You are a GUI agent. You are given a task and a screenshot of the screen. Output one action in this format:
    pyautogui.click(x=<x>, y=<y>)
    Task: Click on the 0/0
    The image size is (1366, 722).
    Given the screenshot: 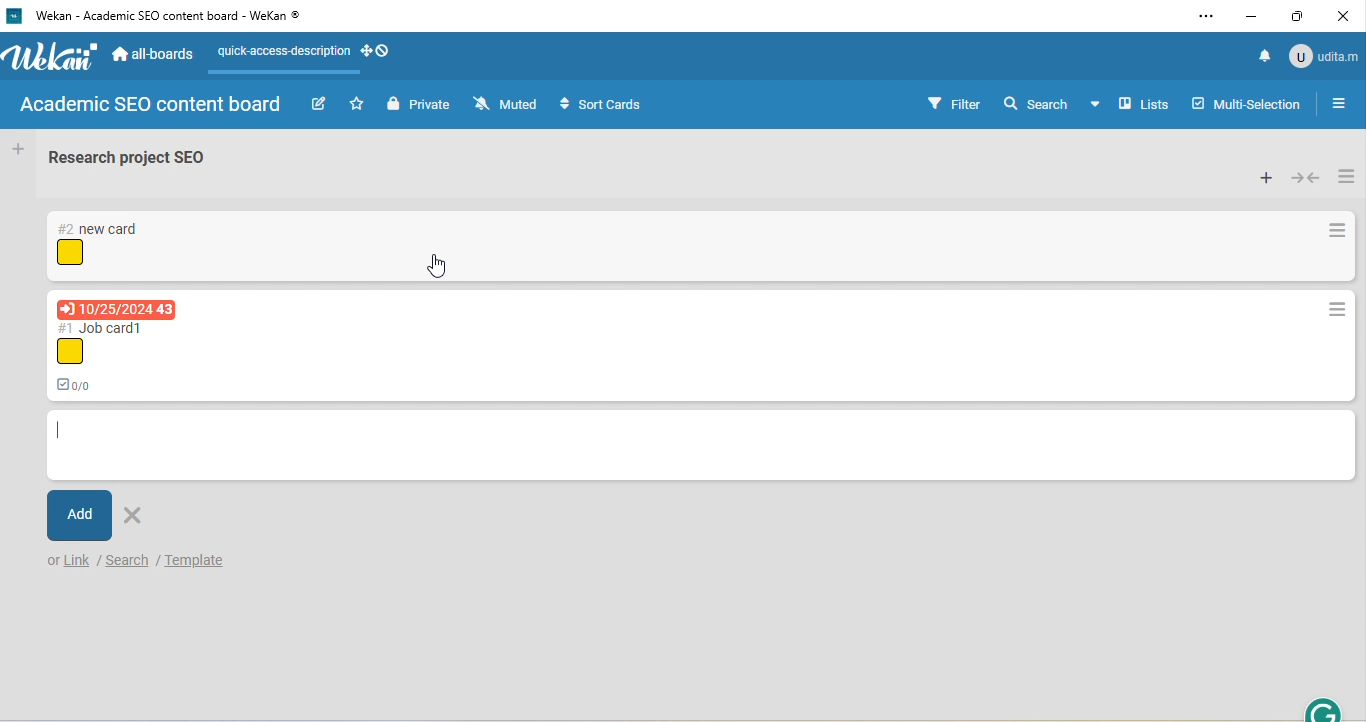 What is the action you would take?
    pyautogui.click(x=81, y=383)
    